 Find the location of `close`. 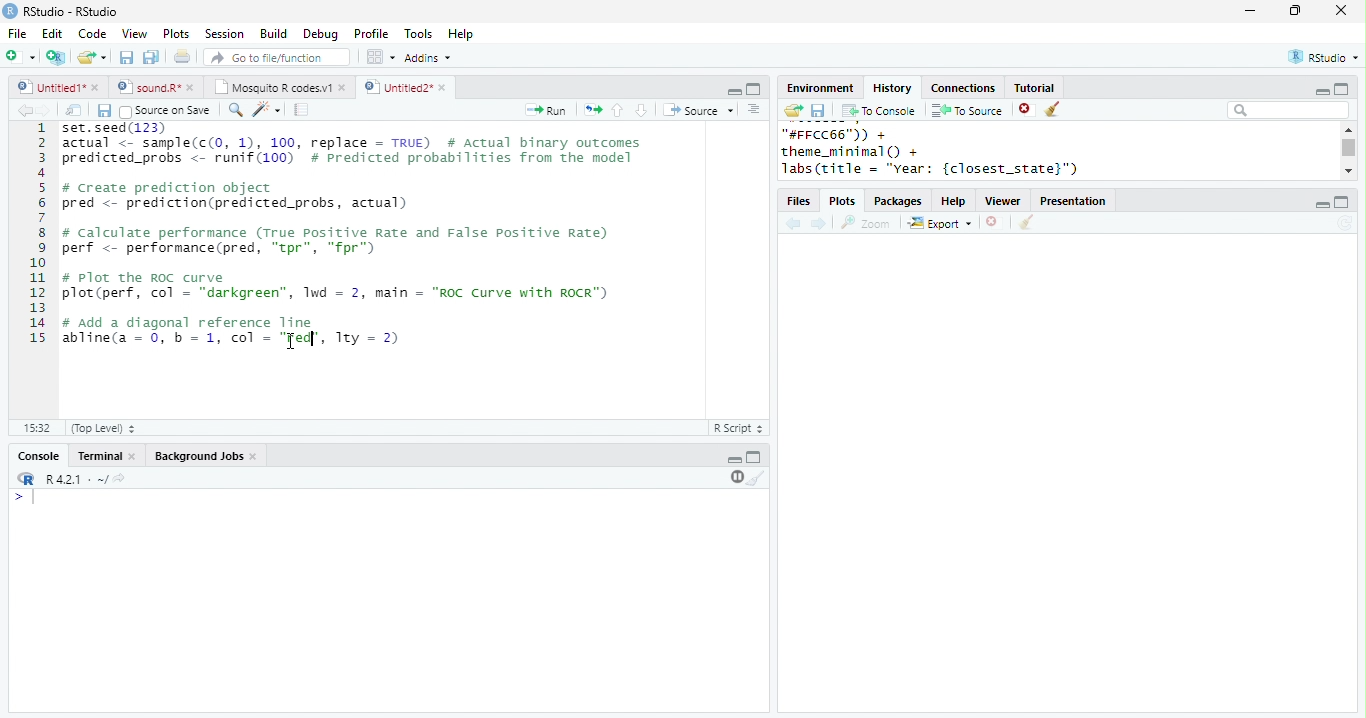

close is located at coordinates (344, 87).